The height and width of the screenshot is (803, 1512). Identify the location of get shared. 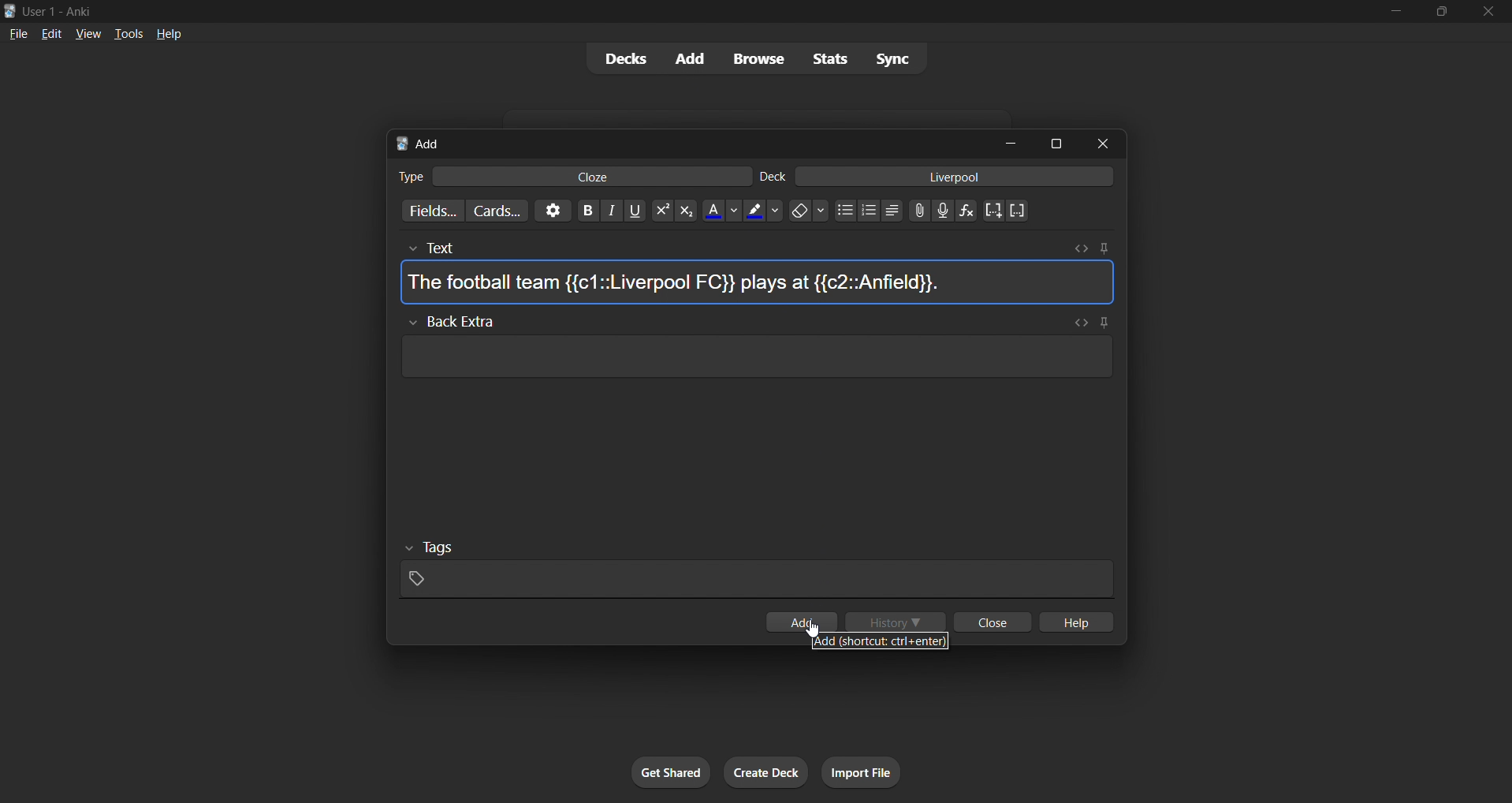
(672, 771).